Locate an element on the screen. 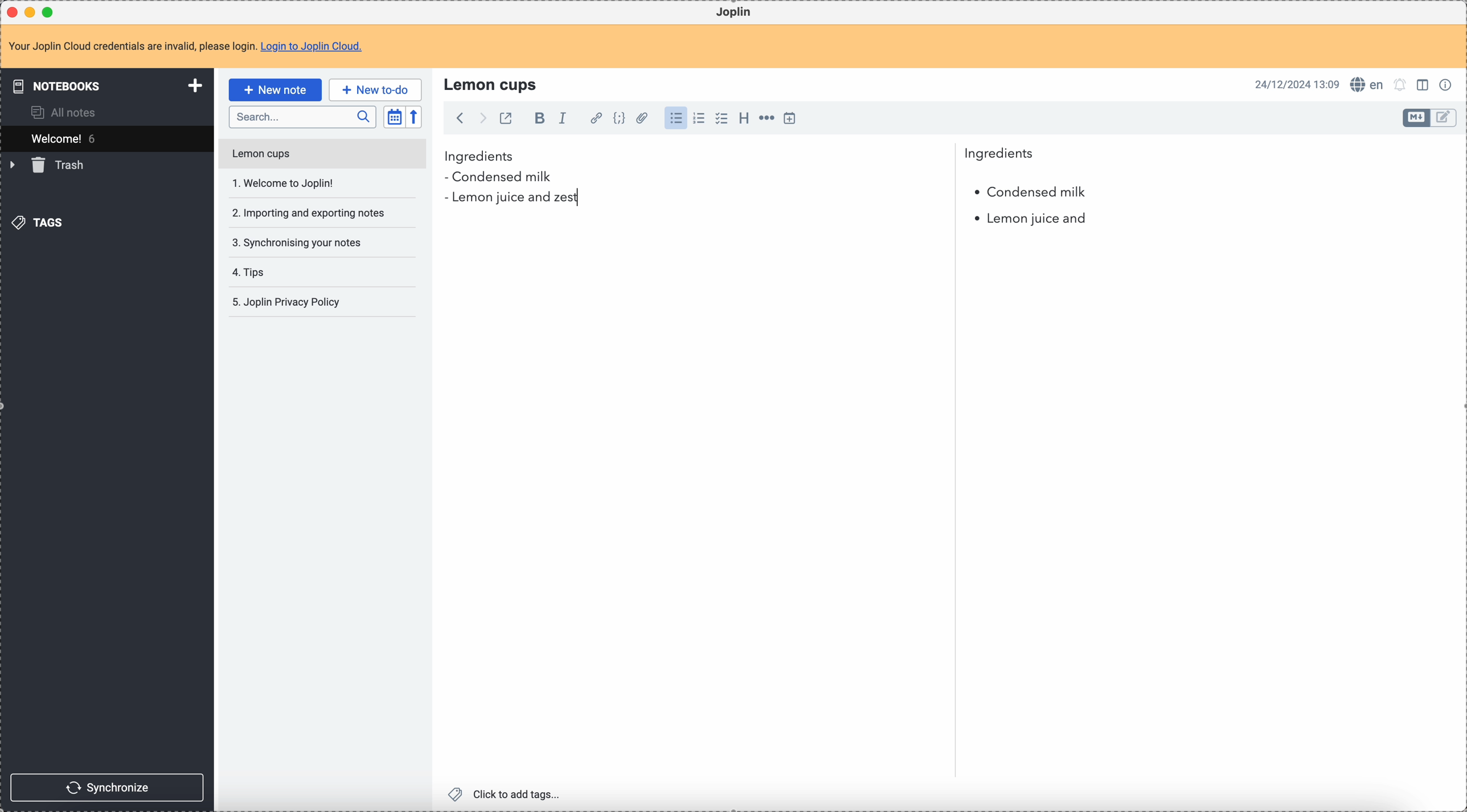  trash is located at coordinates (49, 165).